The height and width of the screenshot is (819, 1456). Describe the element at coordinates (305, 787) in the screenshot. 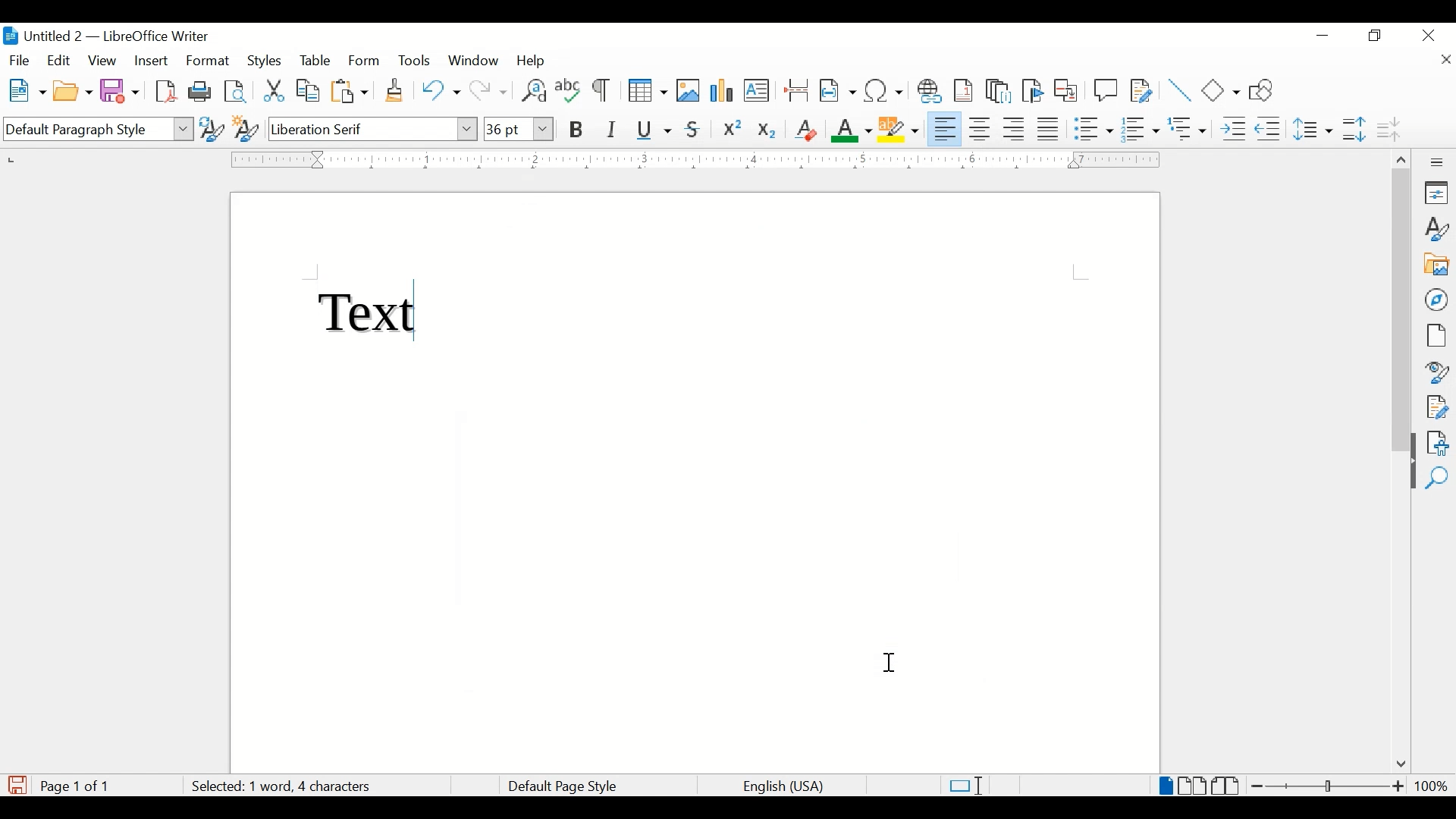

I see `word count` at that location.